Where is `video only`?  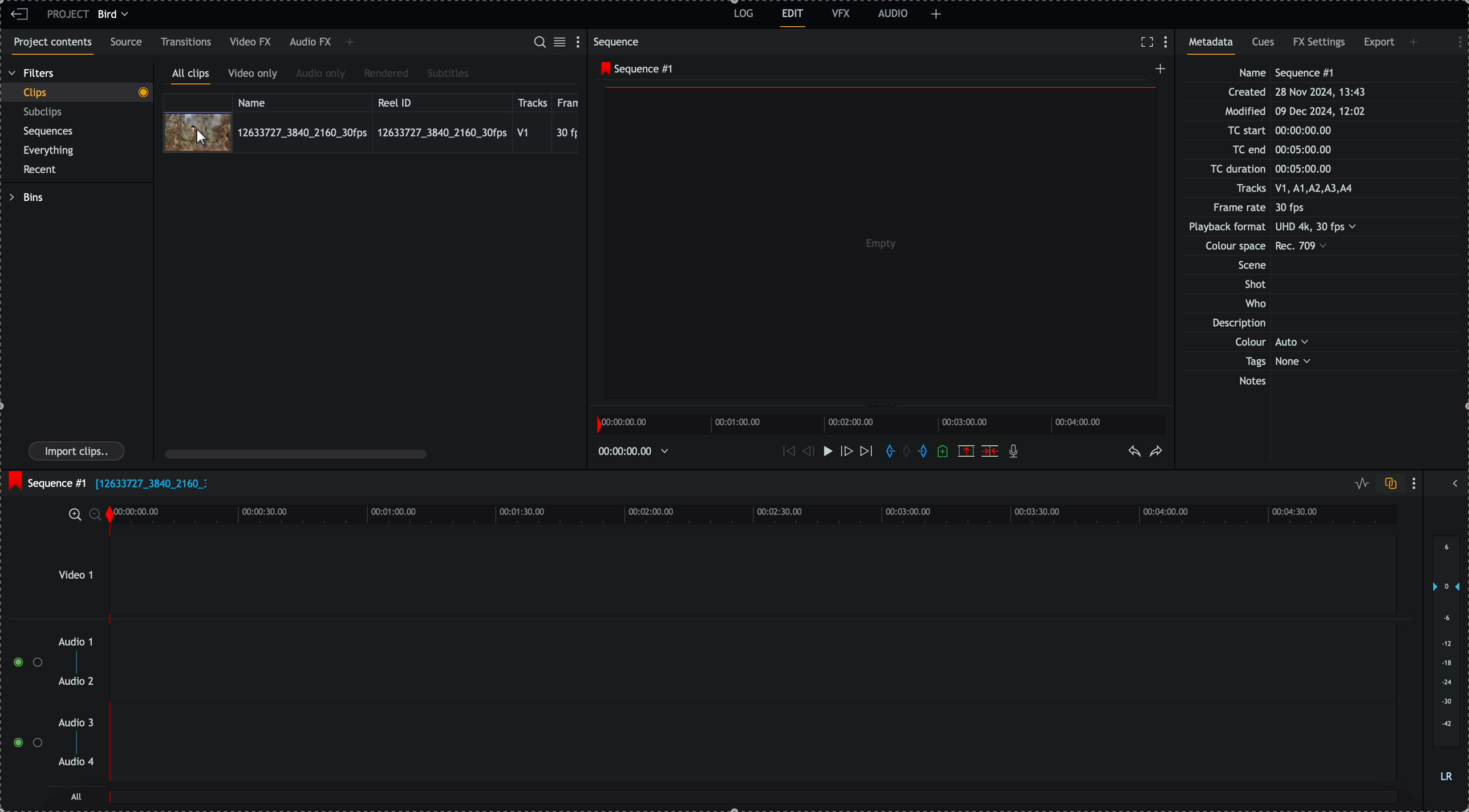 video only is located at coordinates (255, 75).